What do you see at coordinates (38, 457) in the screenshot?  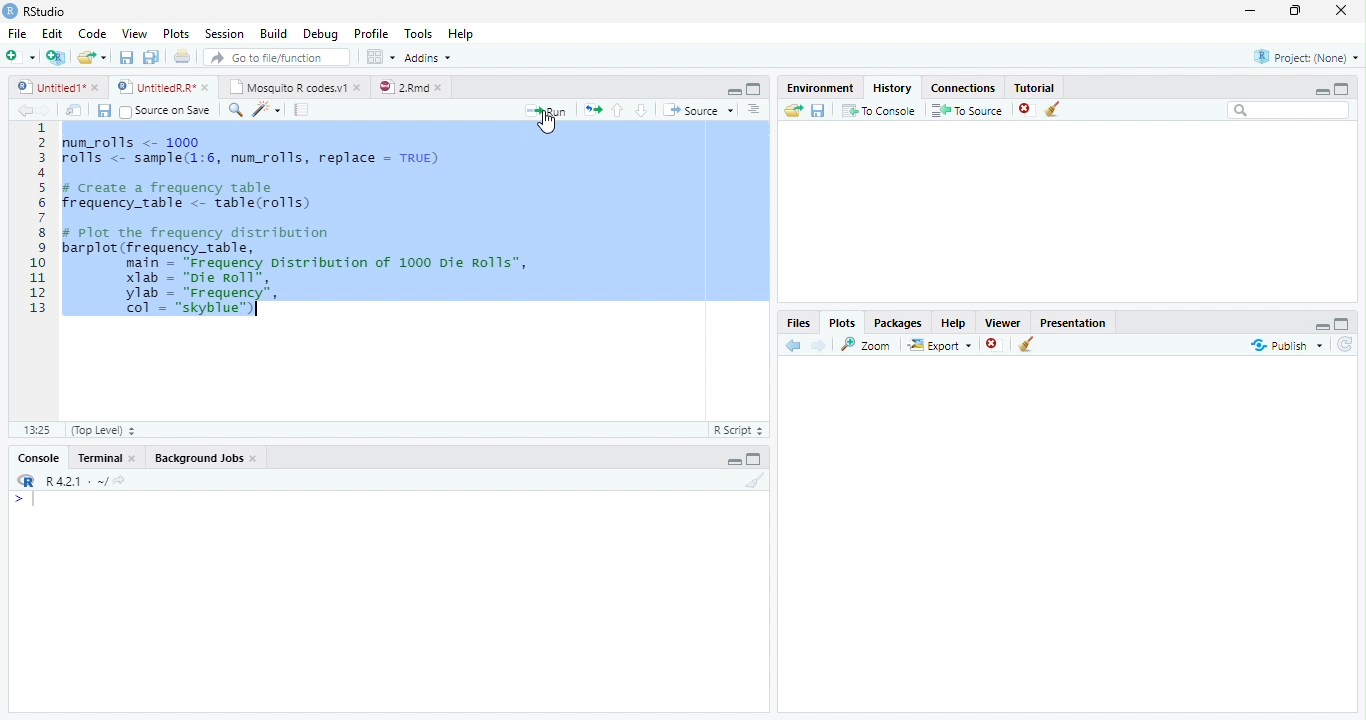 I see `Console` at bounding box center [38, 457].